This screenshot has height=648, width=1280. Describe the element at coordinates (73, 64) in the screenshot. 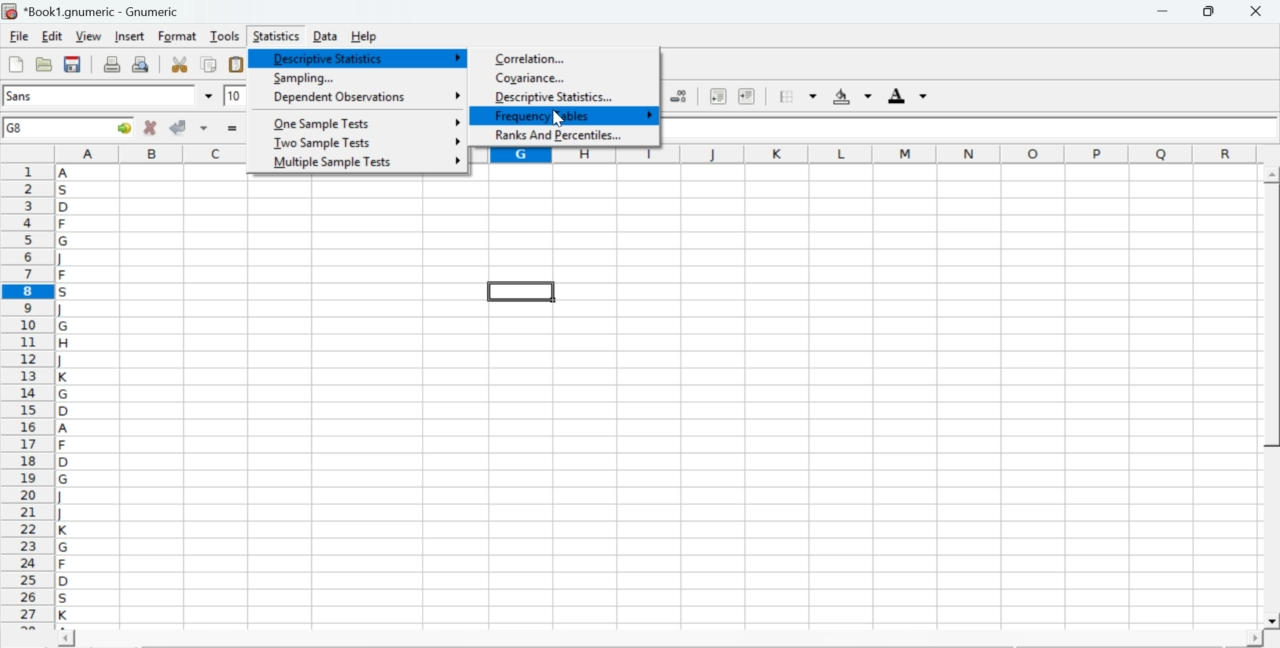

I see `save current workbook` at that location.